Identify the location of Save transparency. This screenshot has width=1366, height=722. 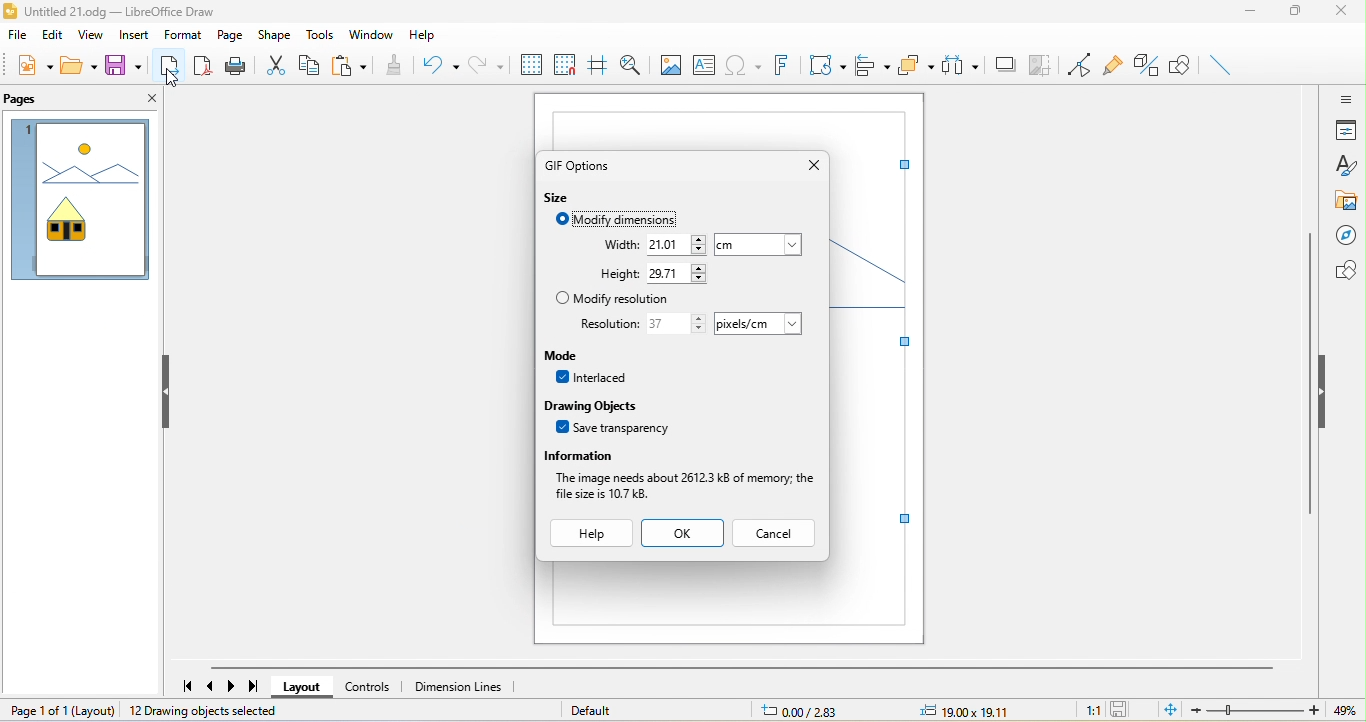
(610, 428).